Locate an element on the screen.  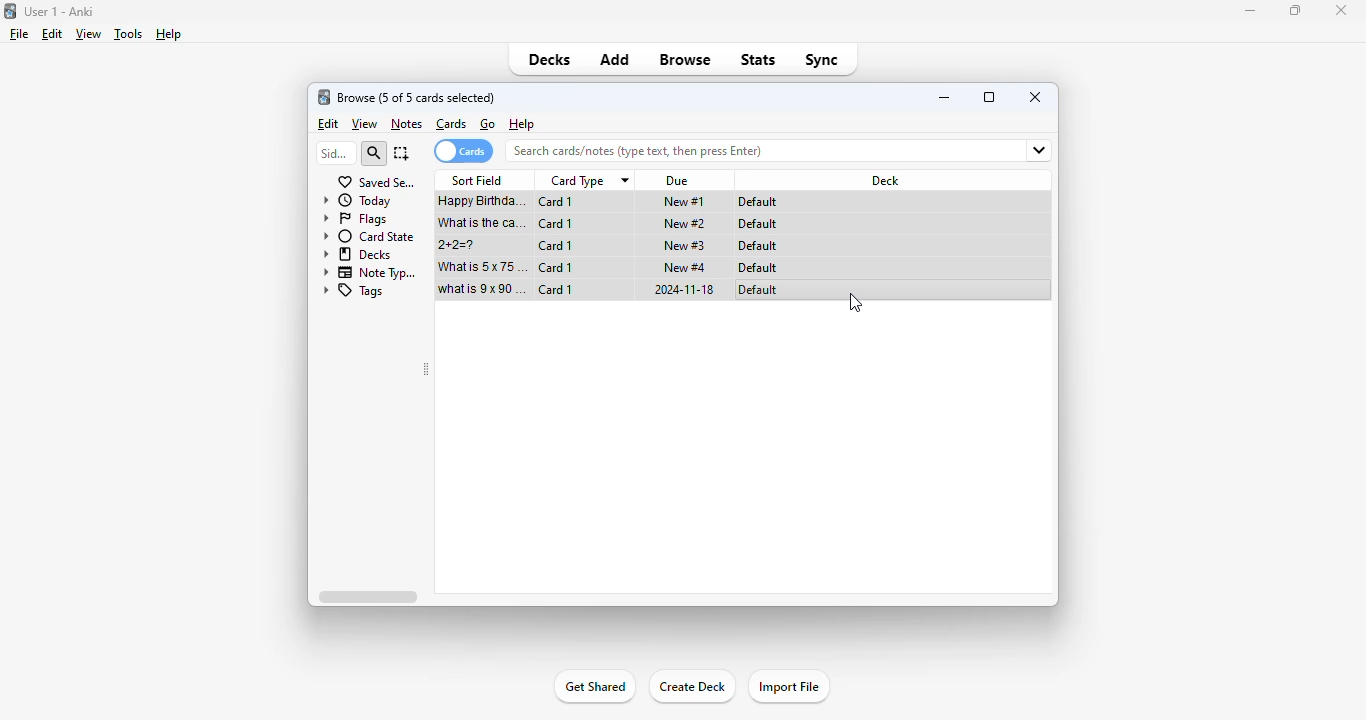
drag to is located at coordinates (856, 303).